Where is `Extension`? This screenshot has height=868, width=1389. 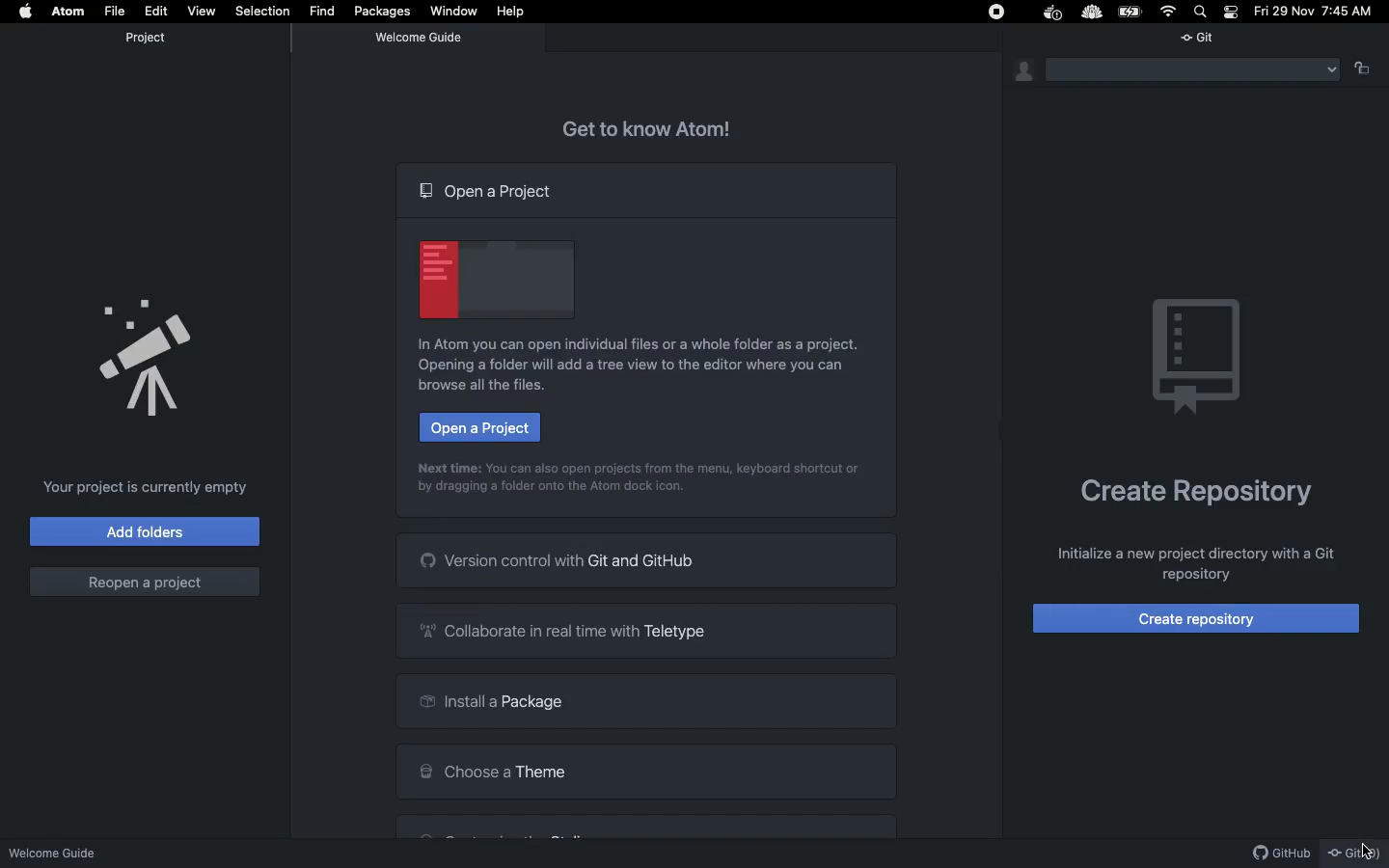
Extension is located at coordinates (1092, 12).